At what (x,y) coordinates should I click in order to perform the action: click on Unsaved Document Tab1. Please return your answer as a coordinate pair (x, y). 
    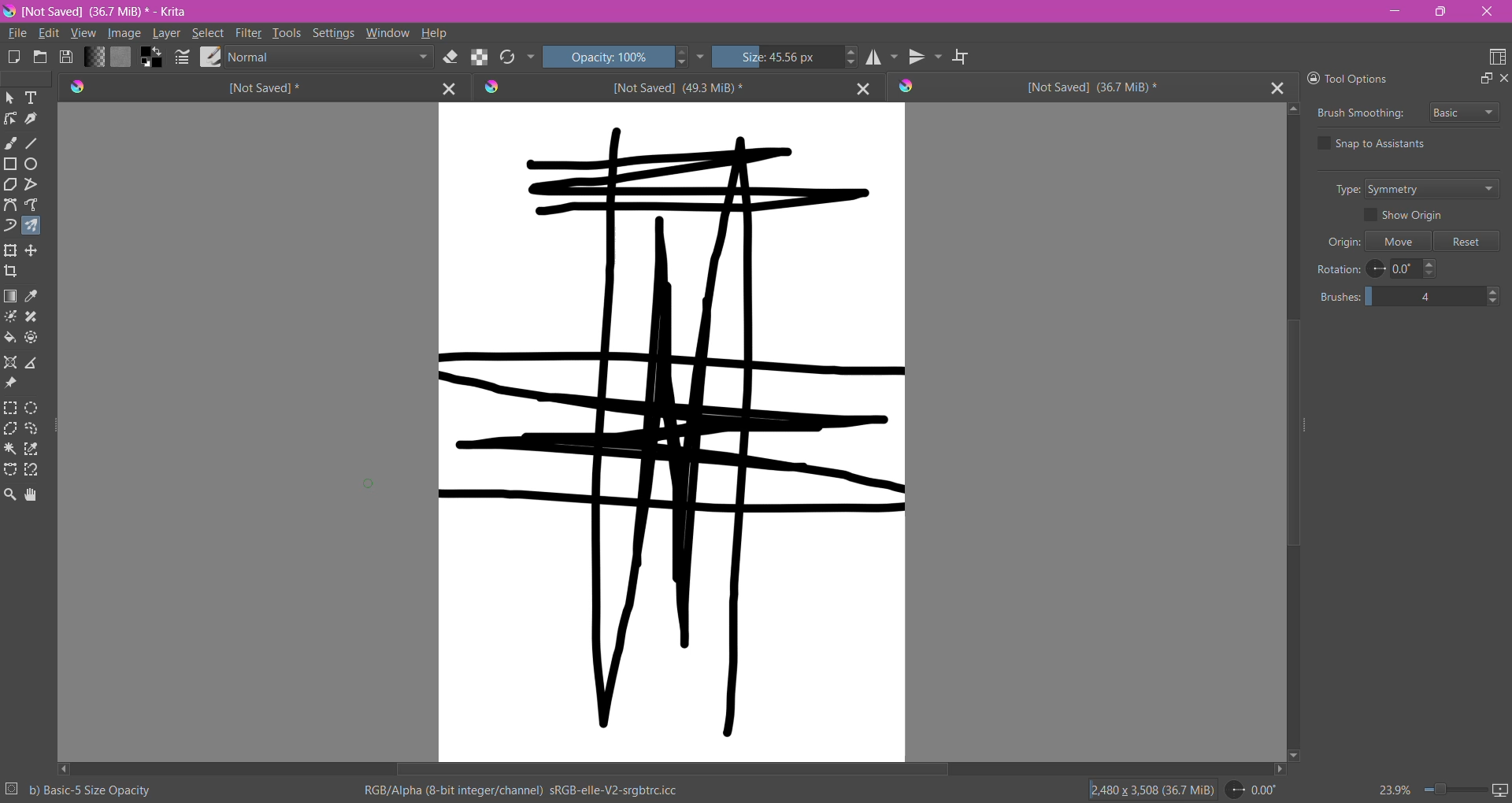
    Looking at the image, I should click on (236, 87).